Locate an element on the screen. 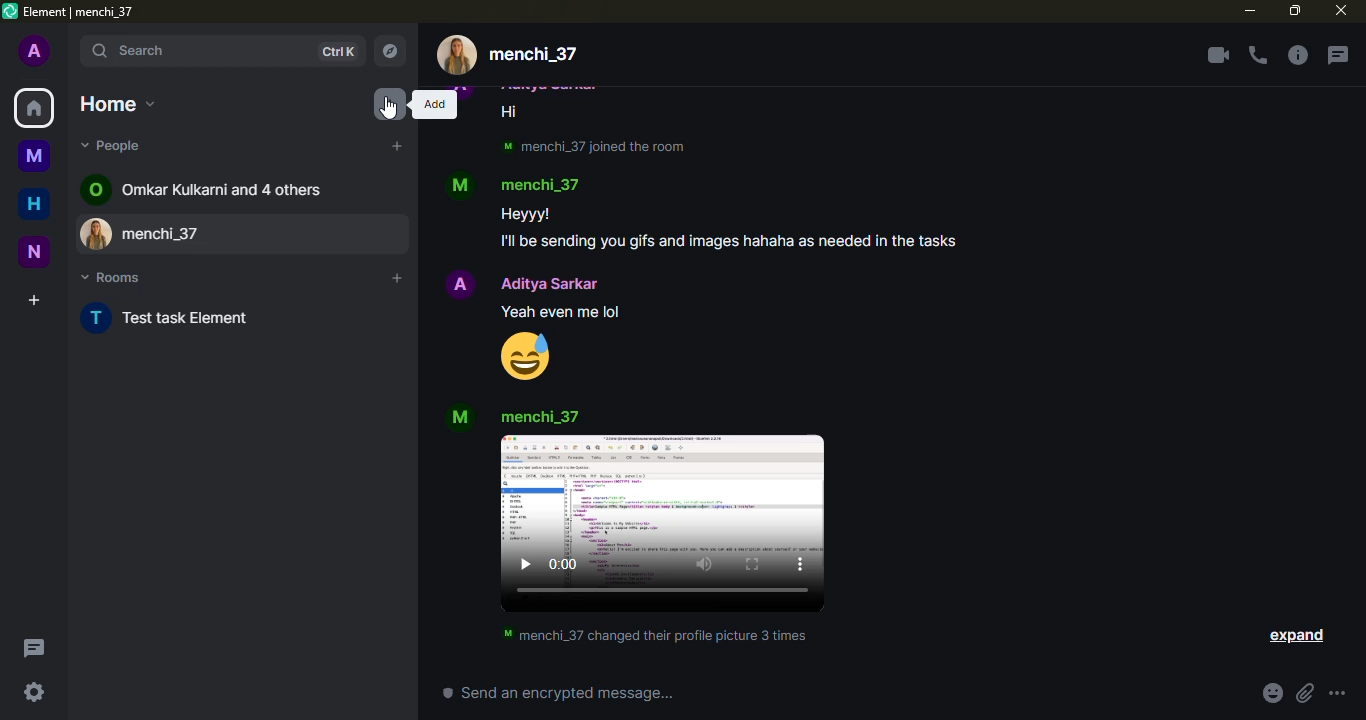 The width and height of the screenshot is (1366, 720). explore rooms is located at coordinates (389, 51).